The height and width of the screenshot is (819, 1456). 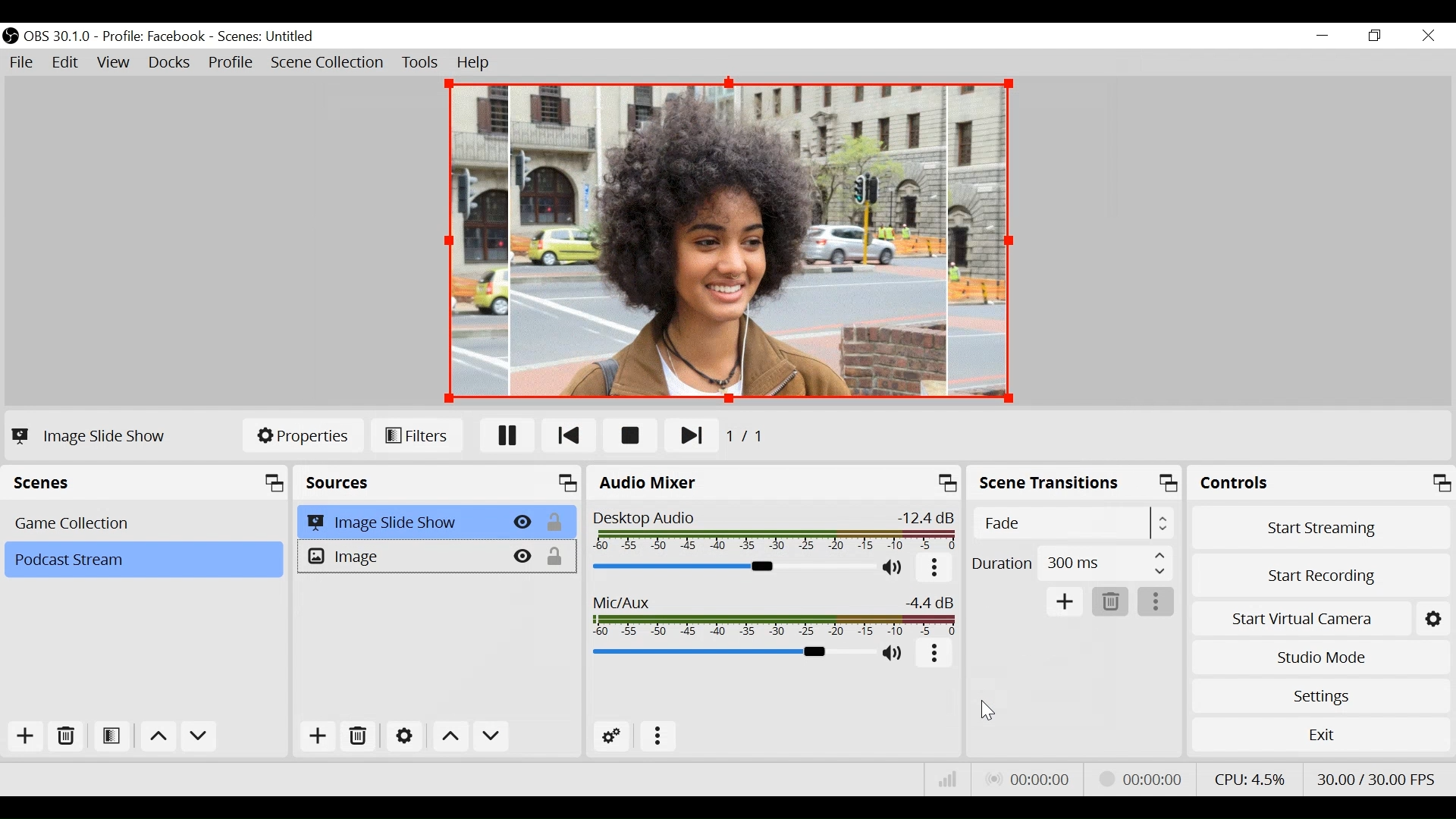 I want to click on Start Recording, so click(x=1323, y=571).